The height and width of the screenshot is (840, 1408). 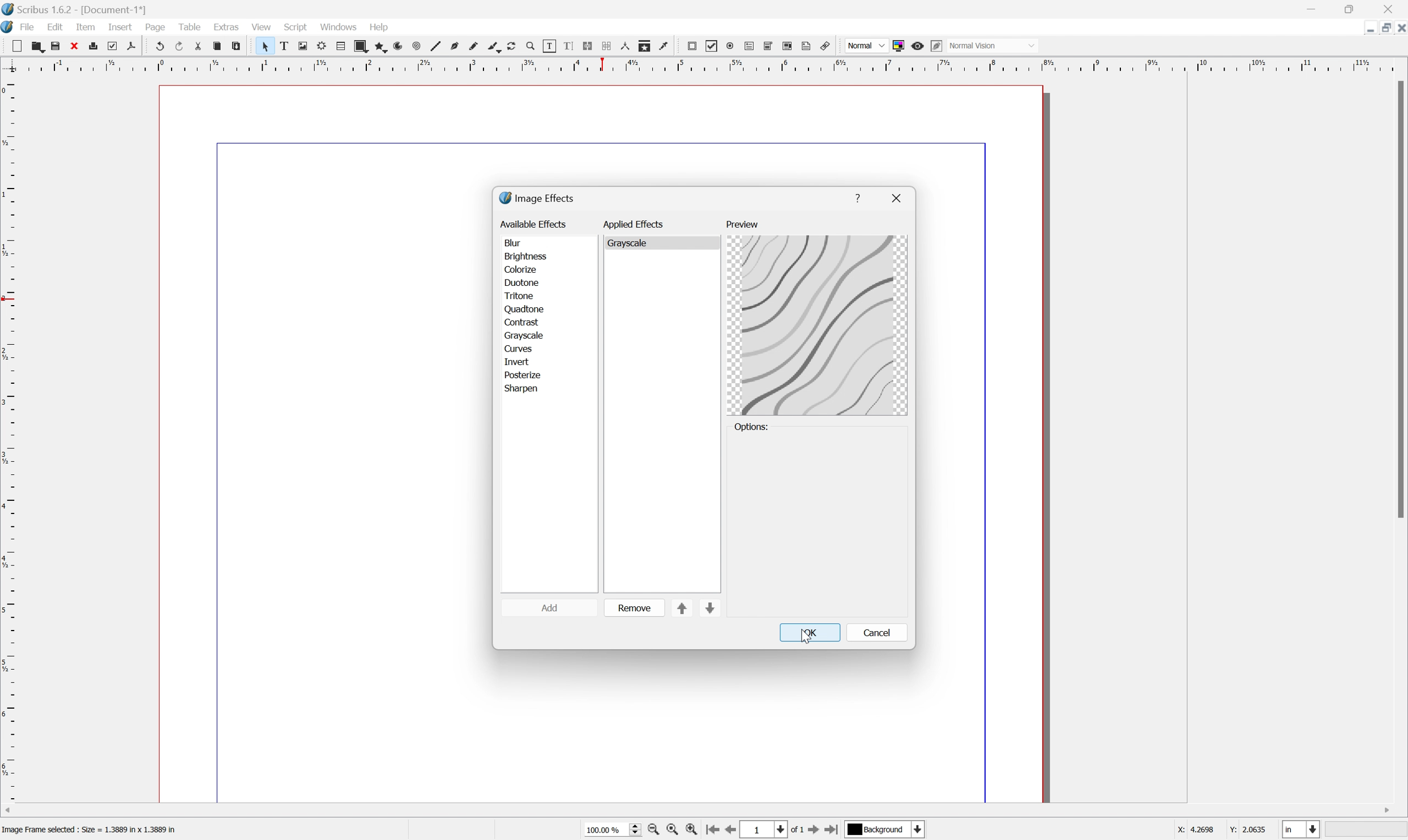 What do you see at coordinates (203, 48) in the screenshot?
I see `Cut` at bounding box center [203, 48].